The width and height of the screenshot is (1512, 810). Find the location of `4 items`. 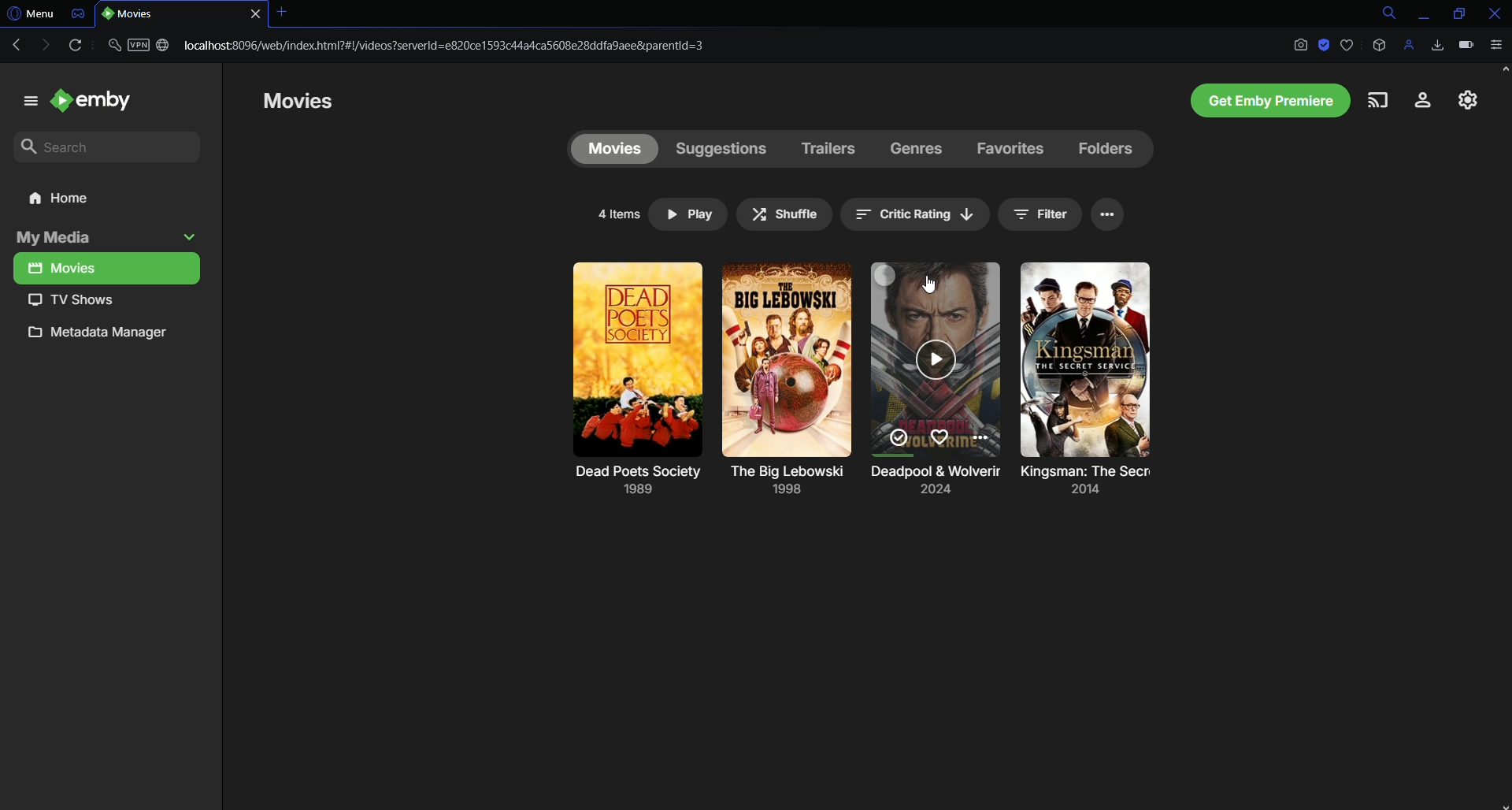

4 items is located at coordinates (621, 214).